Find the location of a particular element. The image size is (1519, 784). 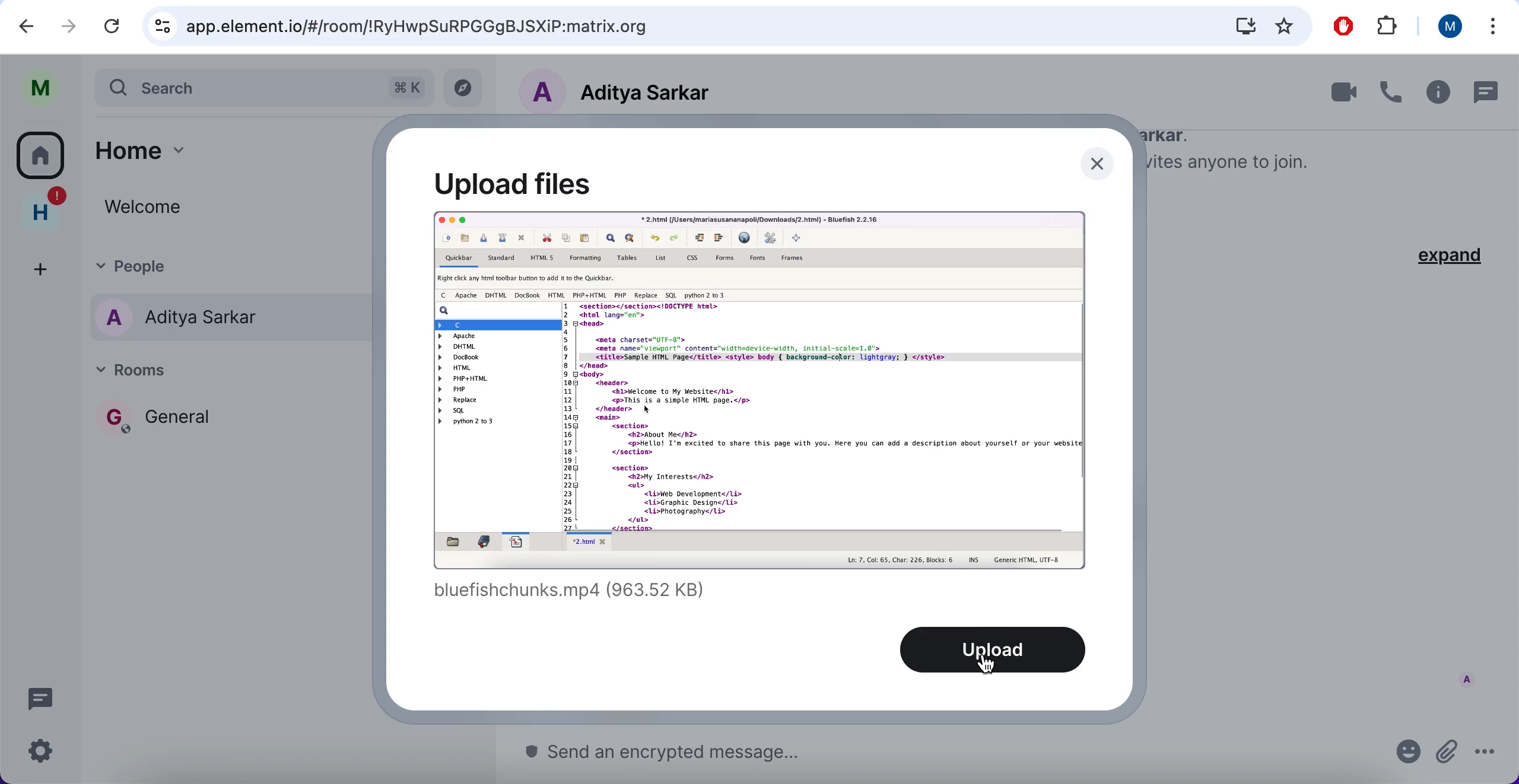

user is located at coordinates (39, 85).